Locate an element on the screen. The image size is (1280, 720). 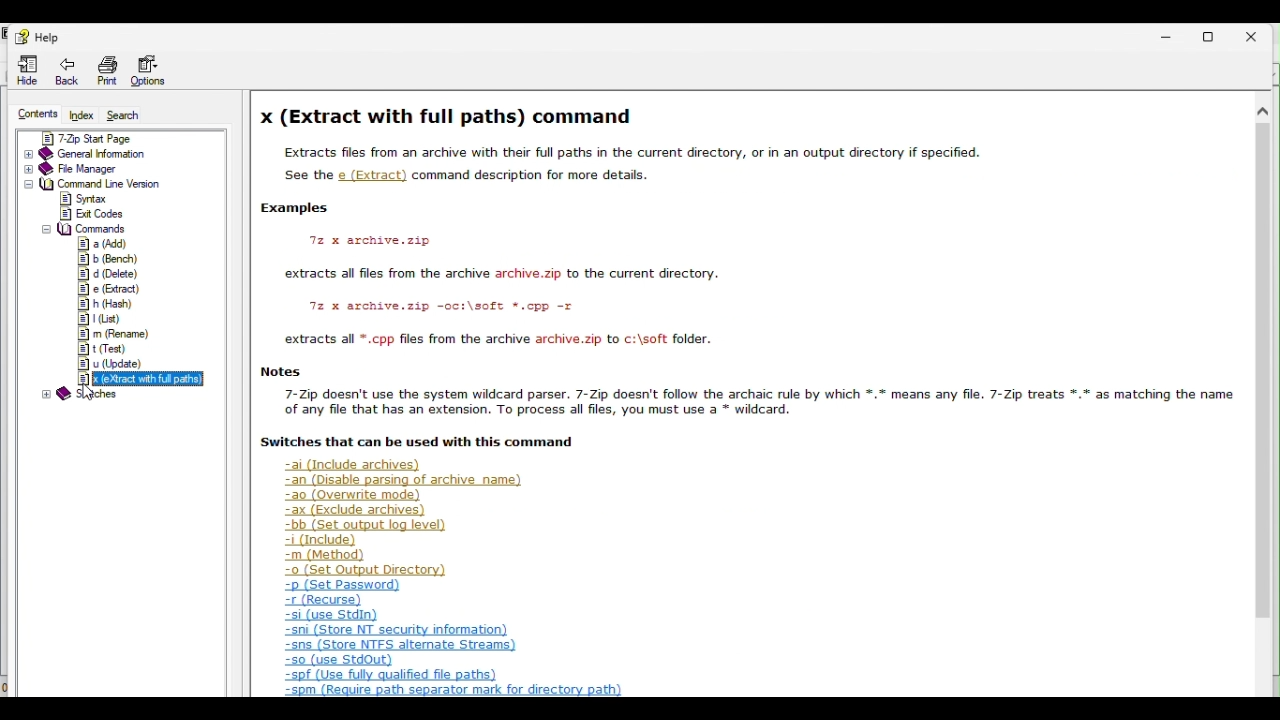
Exit codes is located at coordinates (102, 214).